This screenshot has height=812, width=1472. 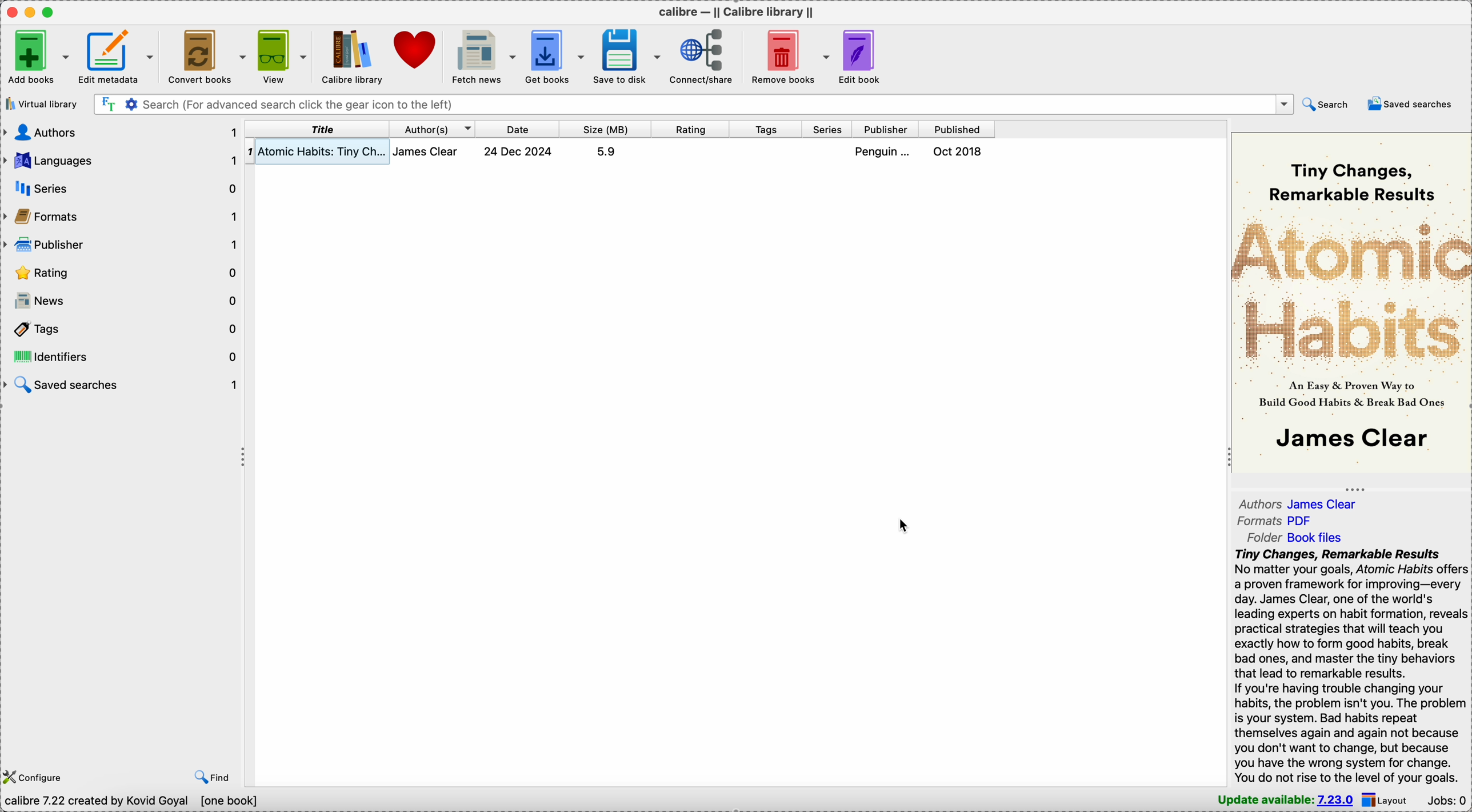 What do you see at coordinates (205, 55) in the screenshot?
I see `convert books` at bounding box center [205, 55].